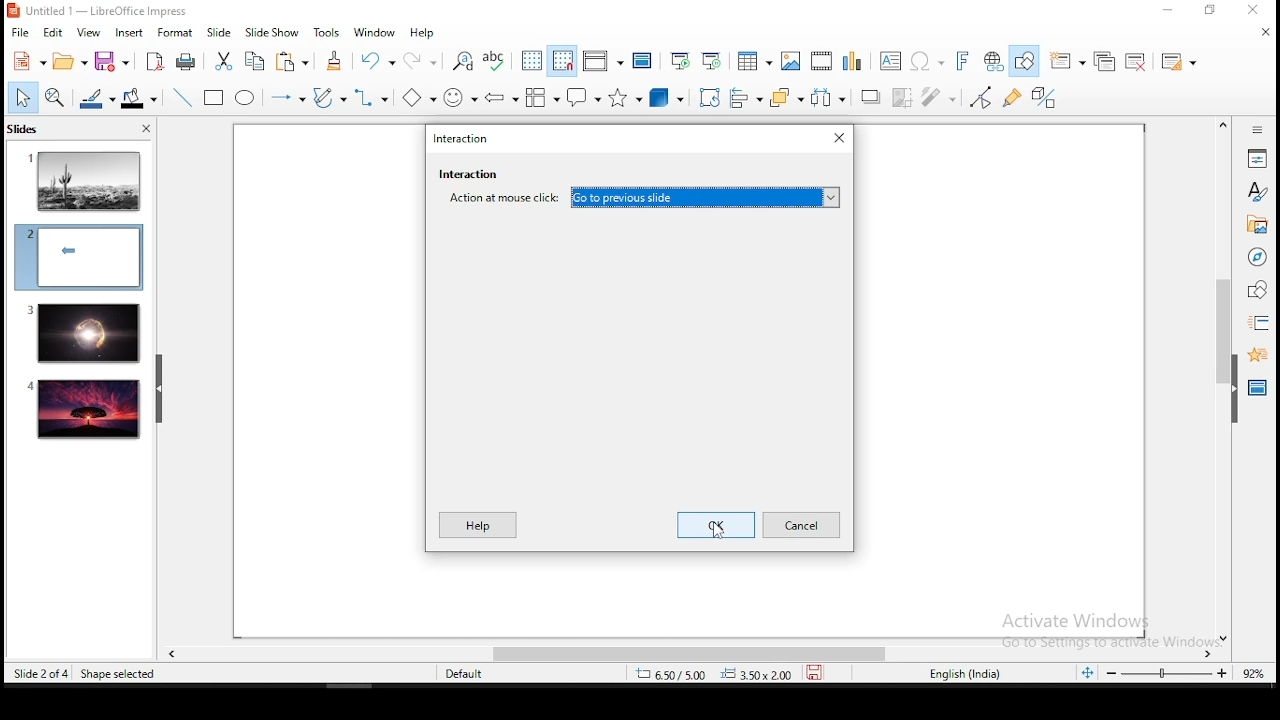 This screenshot has width=1280, height=720. What do you see at coordinates (27, 63) in the screenshot?
I see `new` at bounding box center [27, 63].